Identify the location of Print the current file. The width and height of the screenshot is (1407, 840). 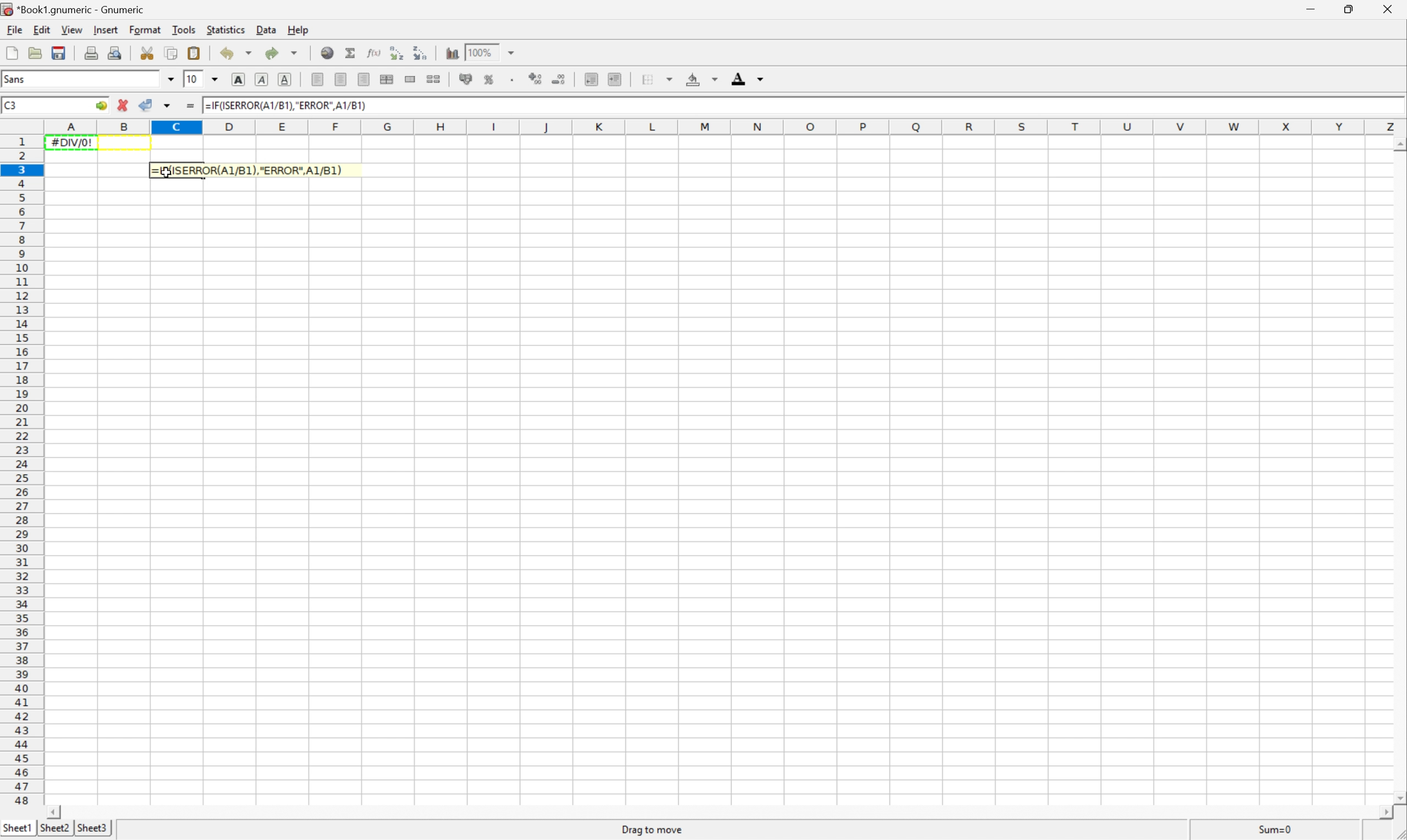
(93, 53).